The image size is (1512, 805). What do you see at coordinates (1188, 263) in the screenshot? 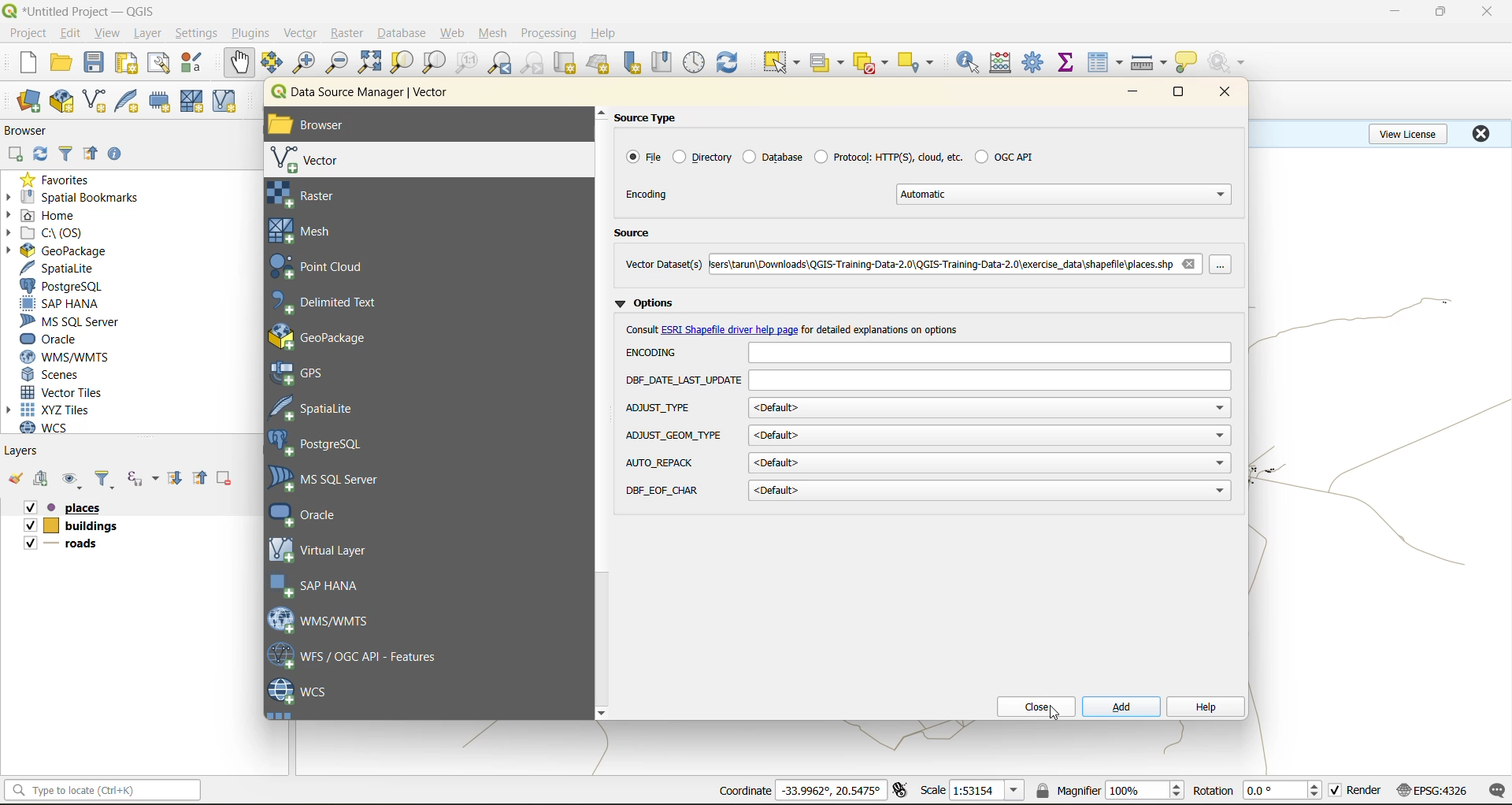
I see `remove` at bounding box center [1188, 263].